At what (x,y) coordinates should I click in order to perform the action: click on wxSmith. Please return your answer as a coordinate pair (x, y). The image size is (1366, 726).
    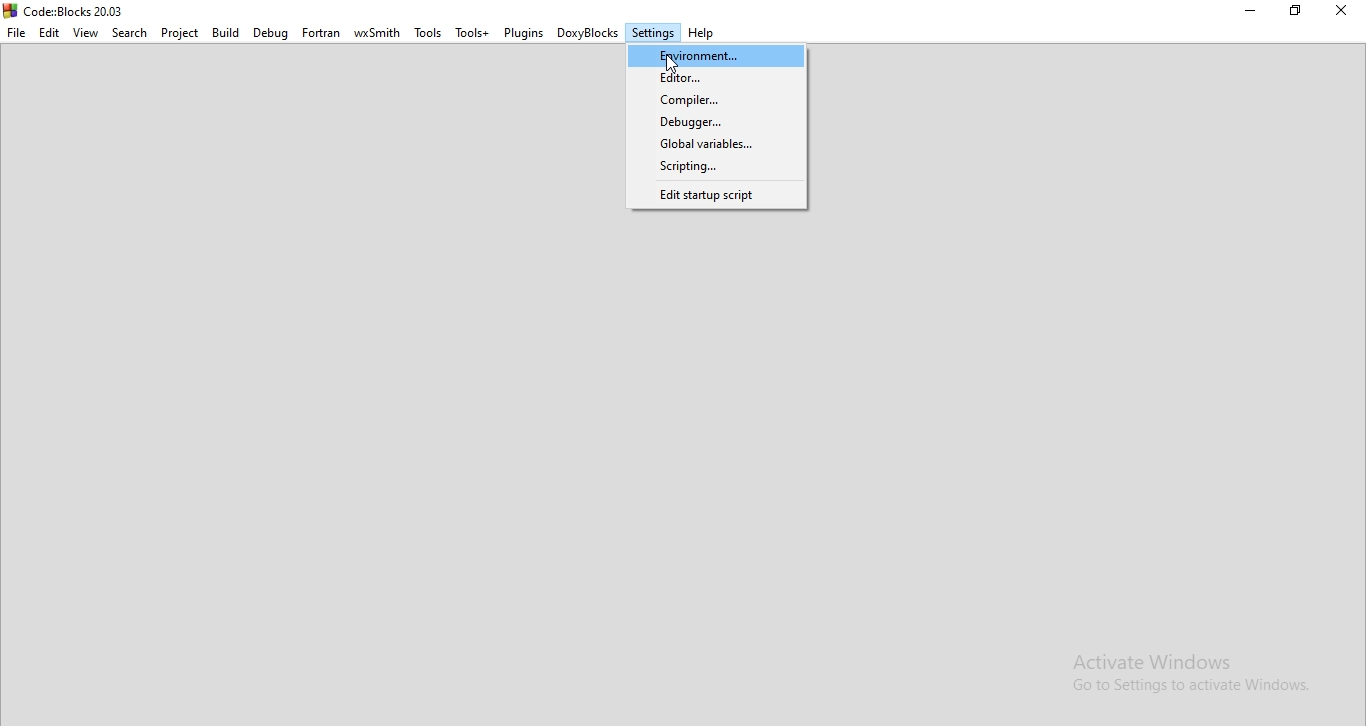
    Looking at the image, I should click on (375, 33).